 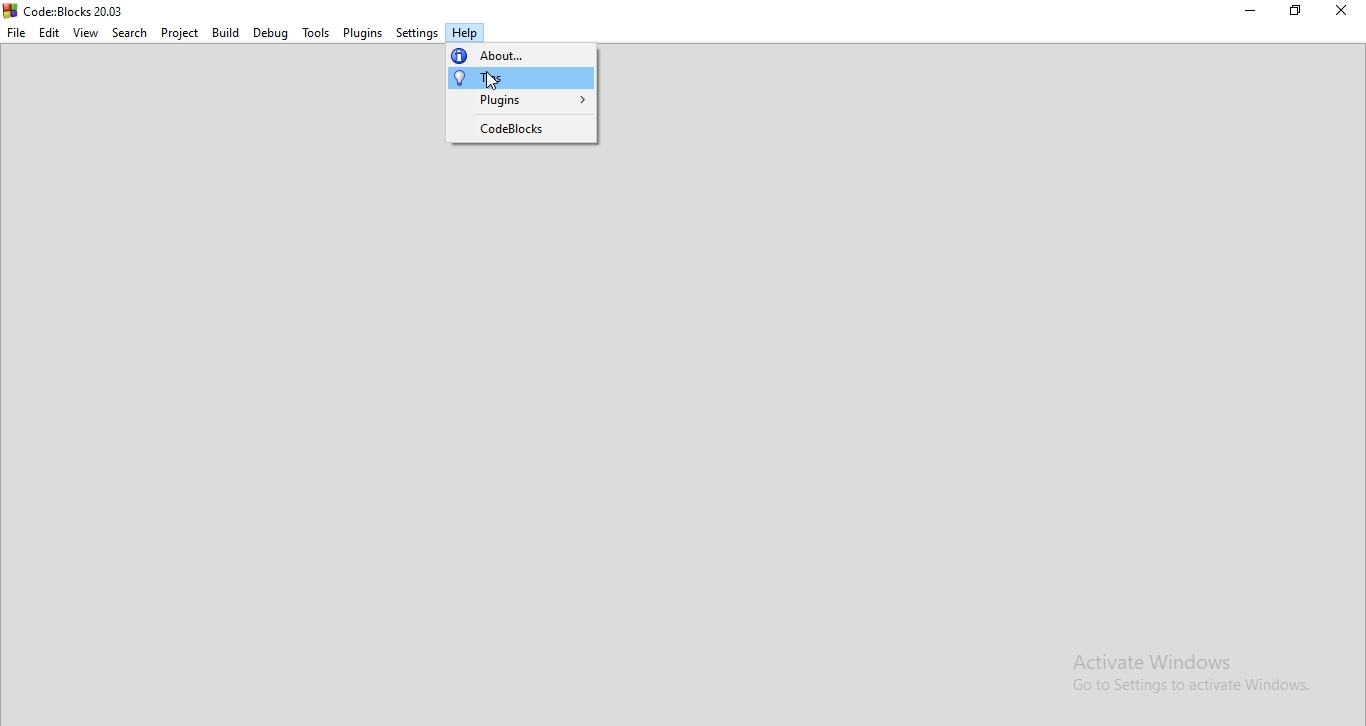 What do you see at coordinates (46, 33) in the screenshot?
I see `Edit ` at bounding box center [46, 33].